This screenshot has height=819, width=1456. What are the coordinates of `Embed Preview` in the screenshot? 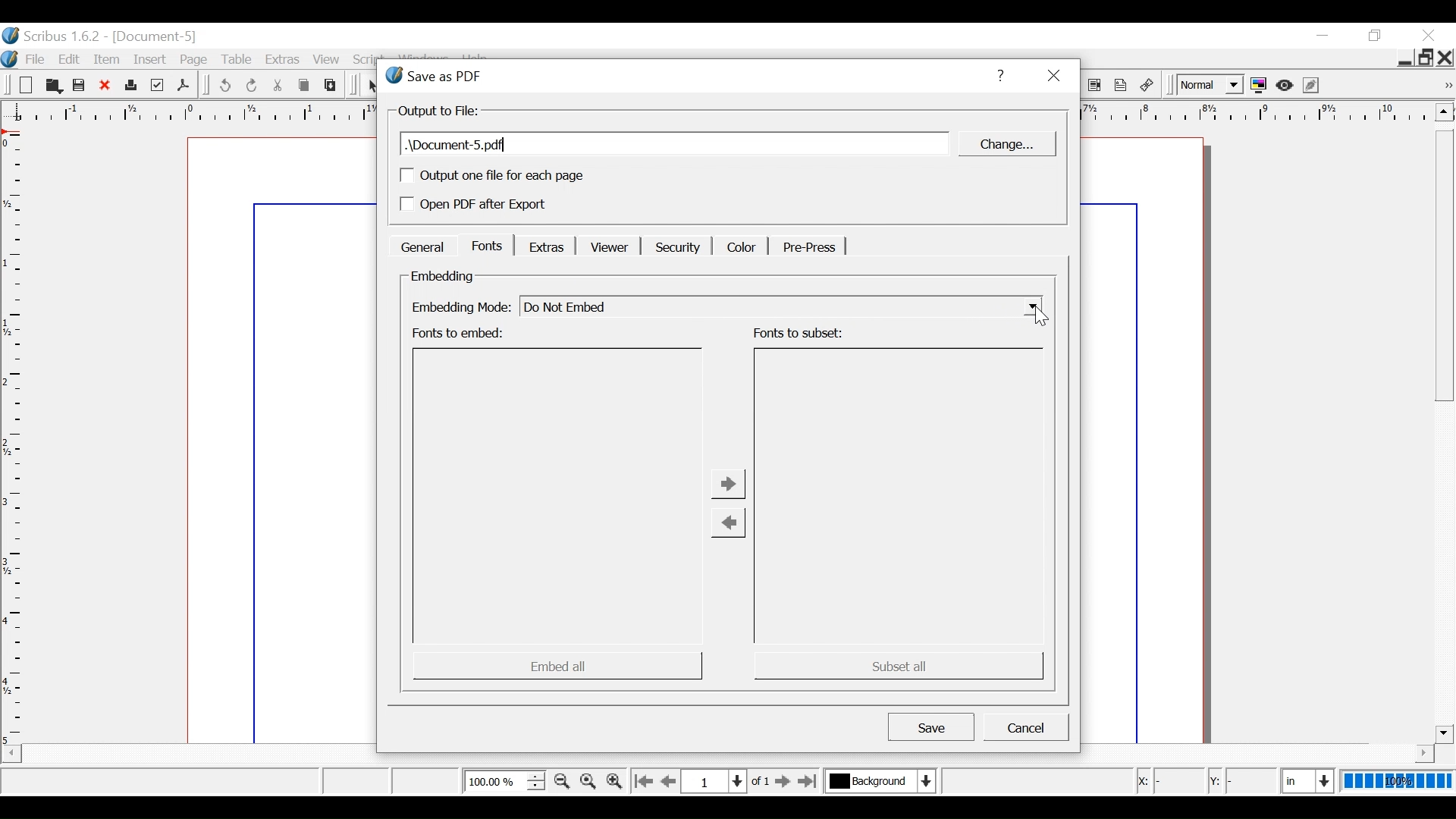 It's located at (558, 496).